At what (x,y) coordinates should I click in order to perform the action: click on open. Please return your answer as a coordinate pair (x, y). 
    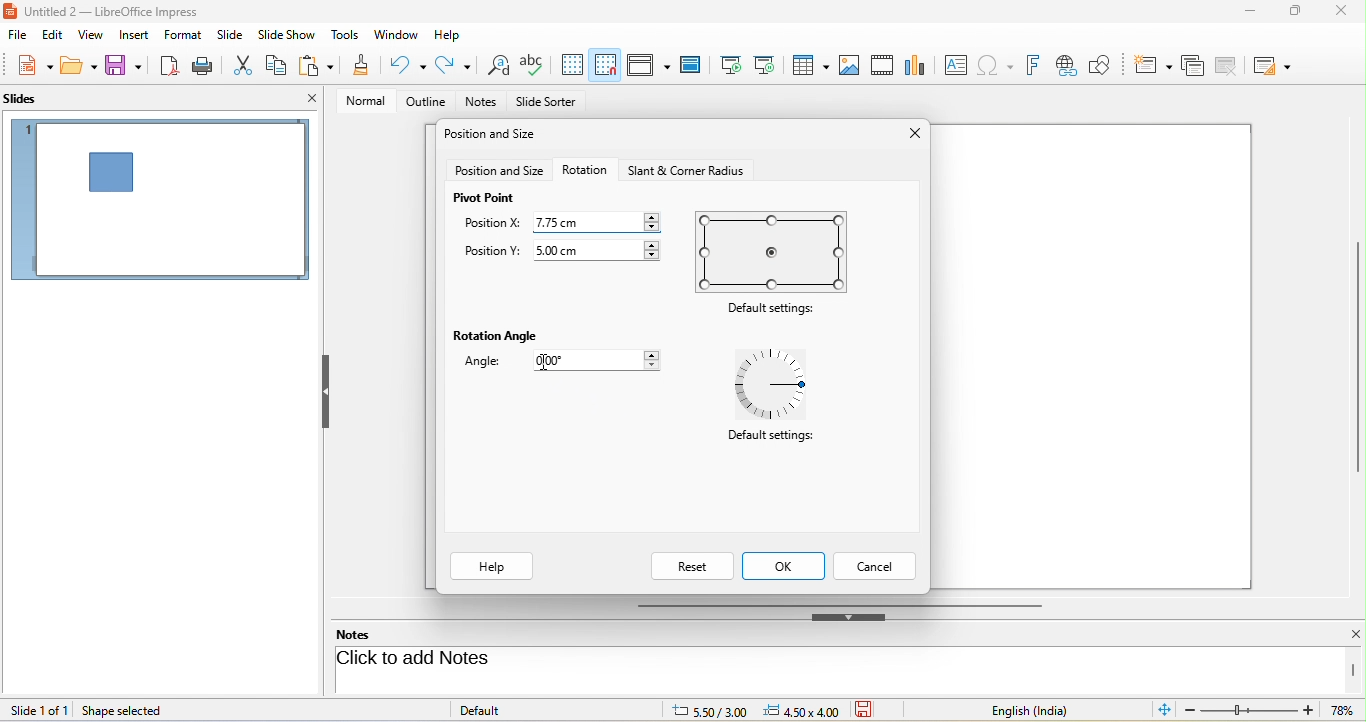
    Looking at the image, I should click on (79, 68).